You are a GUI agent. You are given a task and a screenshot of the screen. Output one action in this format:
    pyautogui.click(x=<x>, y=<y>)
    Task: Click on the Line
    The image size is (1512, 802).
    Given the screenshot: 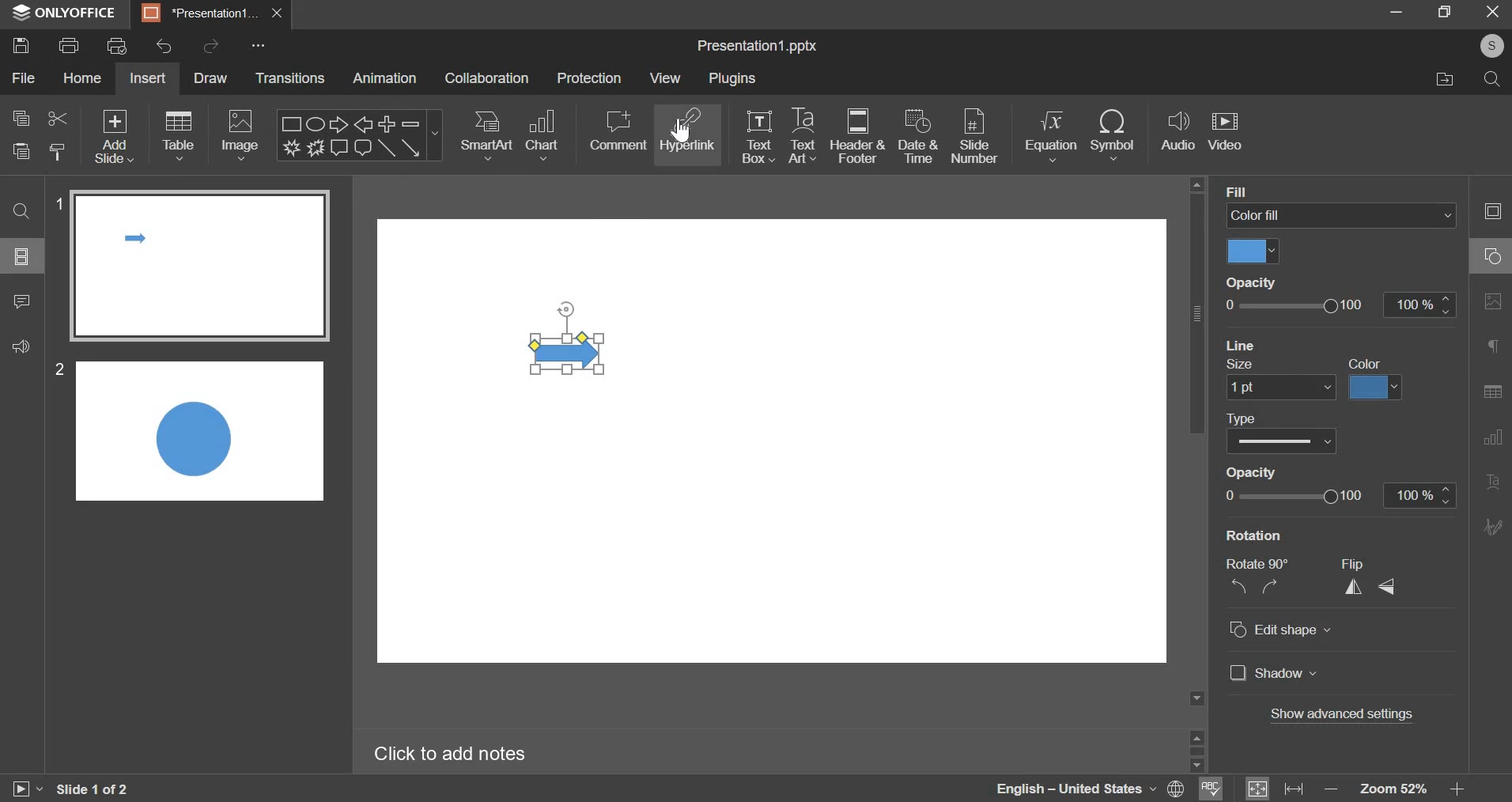 What is the action you would take?
    pyautogui.click(x=386, y=148)
    